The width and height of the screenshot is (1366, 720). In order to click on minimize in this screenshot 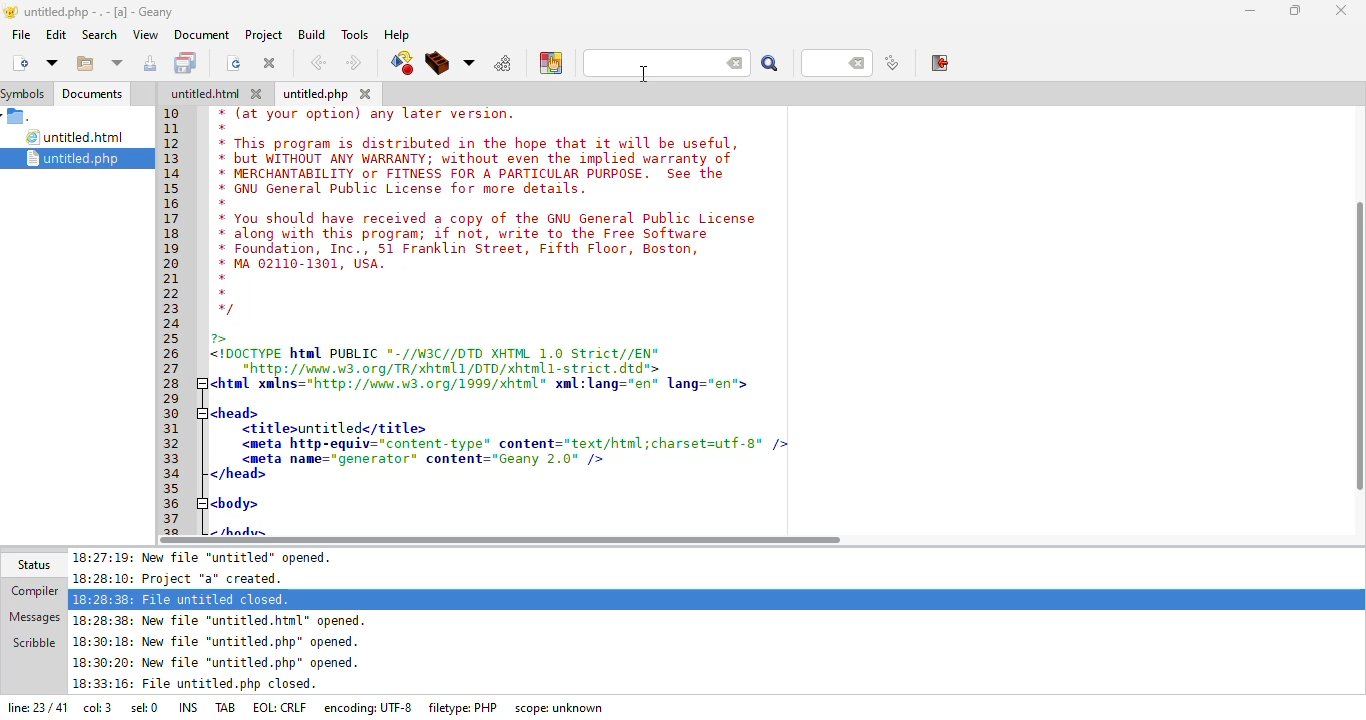, I will do `click(1250, 10)`.